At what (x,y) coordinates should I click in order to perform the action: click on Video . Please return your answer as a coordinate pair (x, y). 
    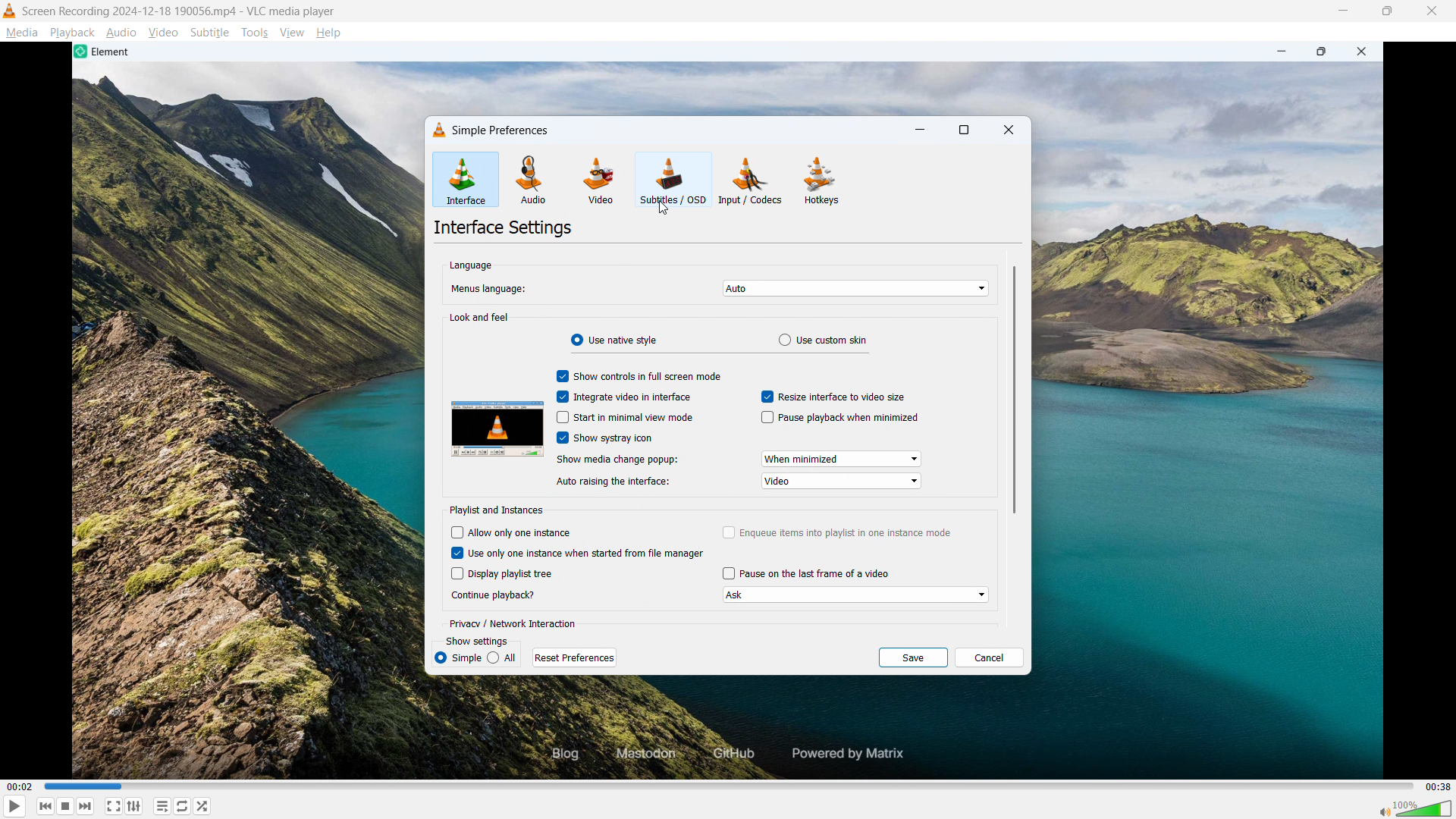
    Looking at the image, I should click on (164, 33).